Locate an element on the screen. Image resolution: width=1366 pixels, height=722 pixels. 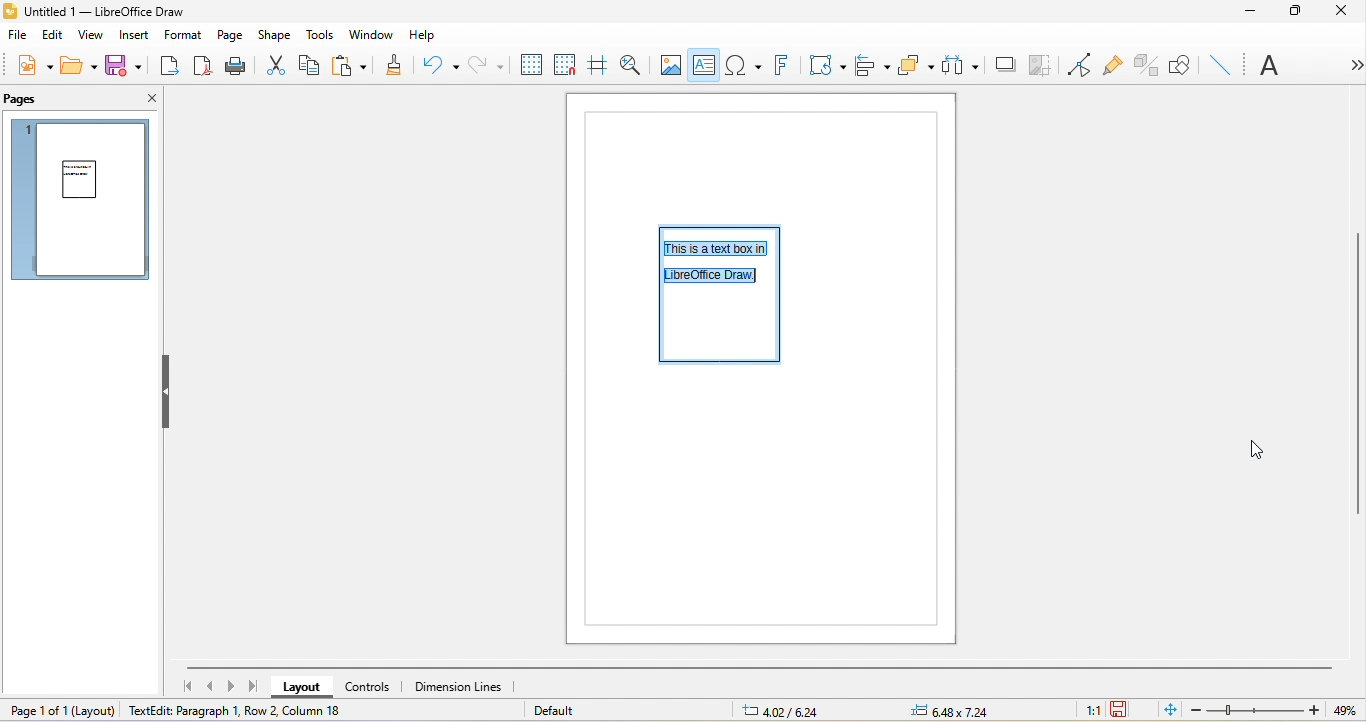
insert line is located at coordinates (1226, 66).